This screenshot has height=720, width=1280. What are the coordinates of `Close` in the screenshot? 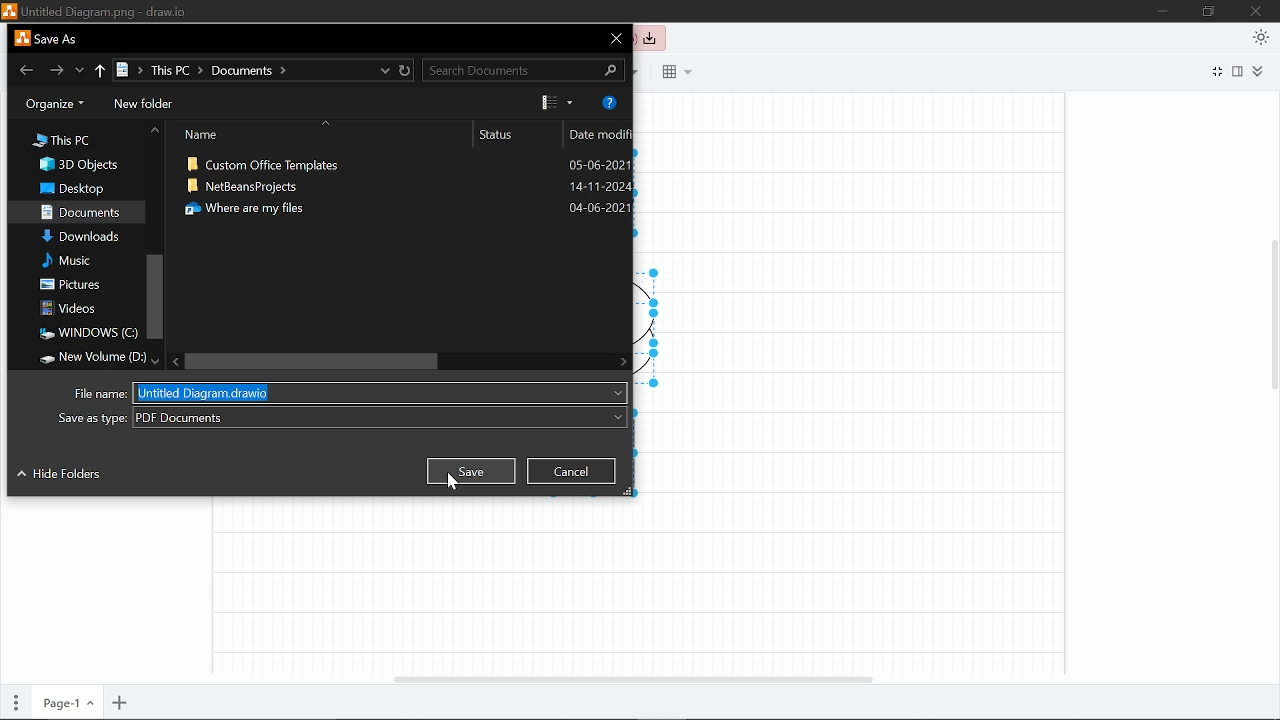 It's located at (1257, 12).